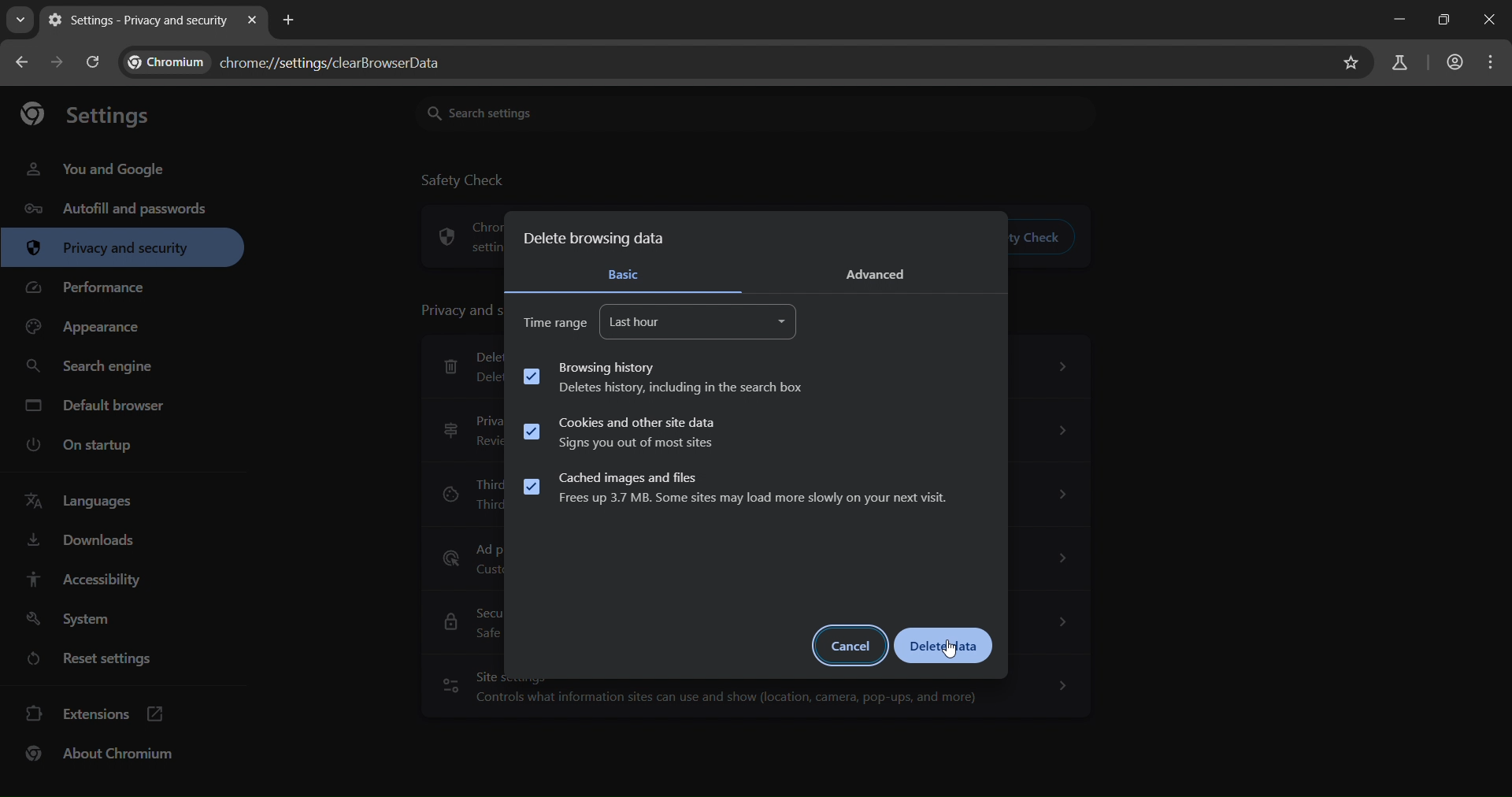  Describe the element at coordinates (109, 758) in the screenshot. I see `about chromium` at that location.